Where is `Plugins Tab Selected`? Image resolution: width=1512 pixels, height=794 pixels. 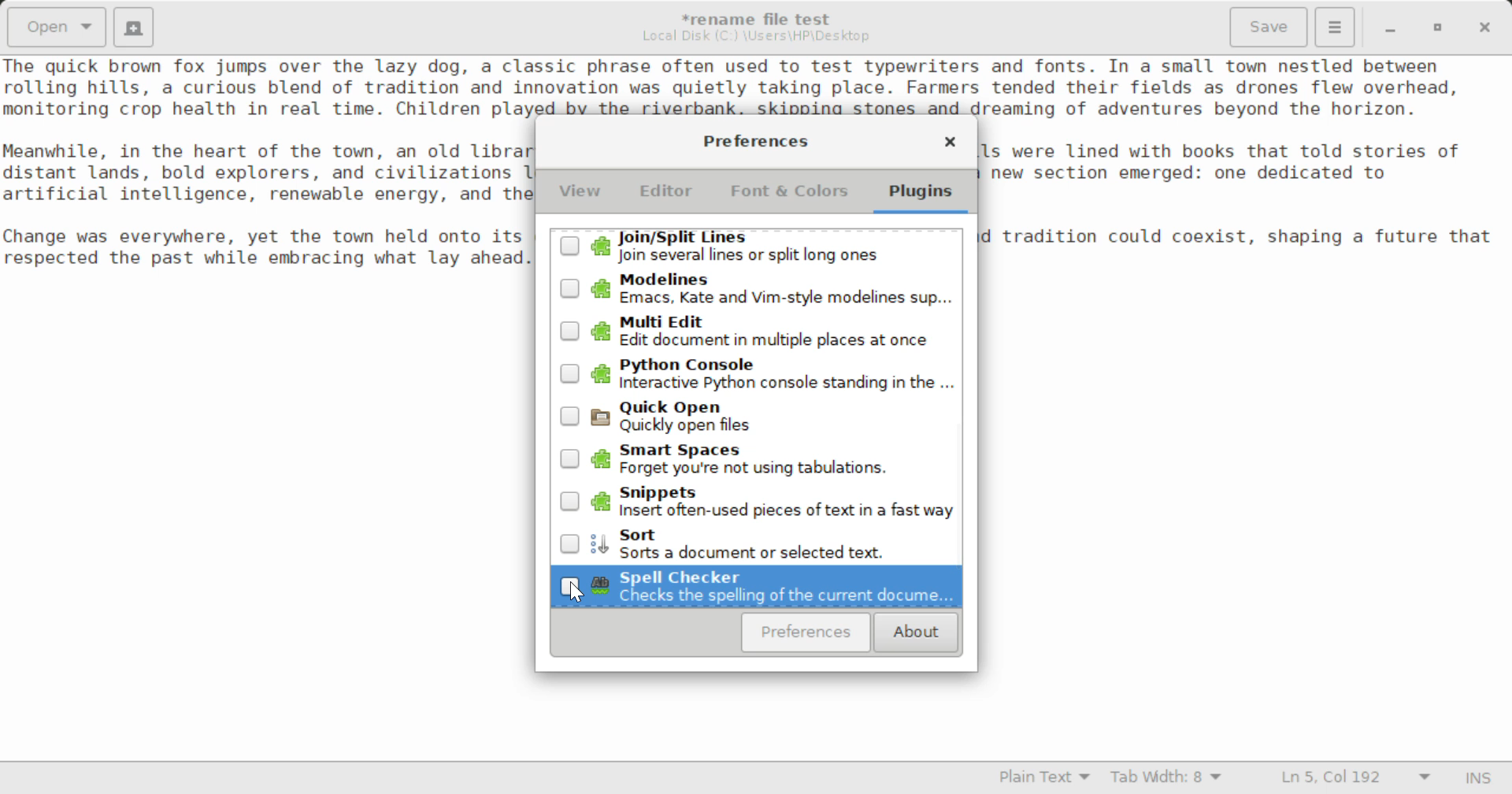 Plugins Tab Selected is located at coordinates (925, 197).